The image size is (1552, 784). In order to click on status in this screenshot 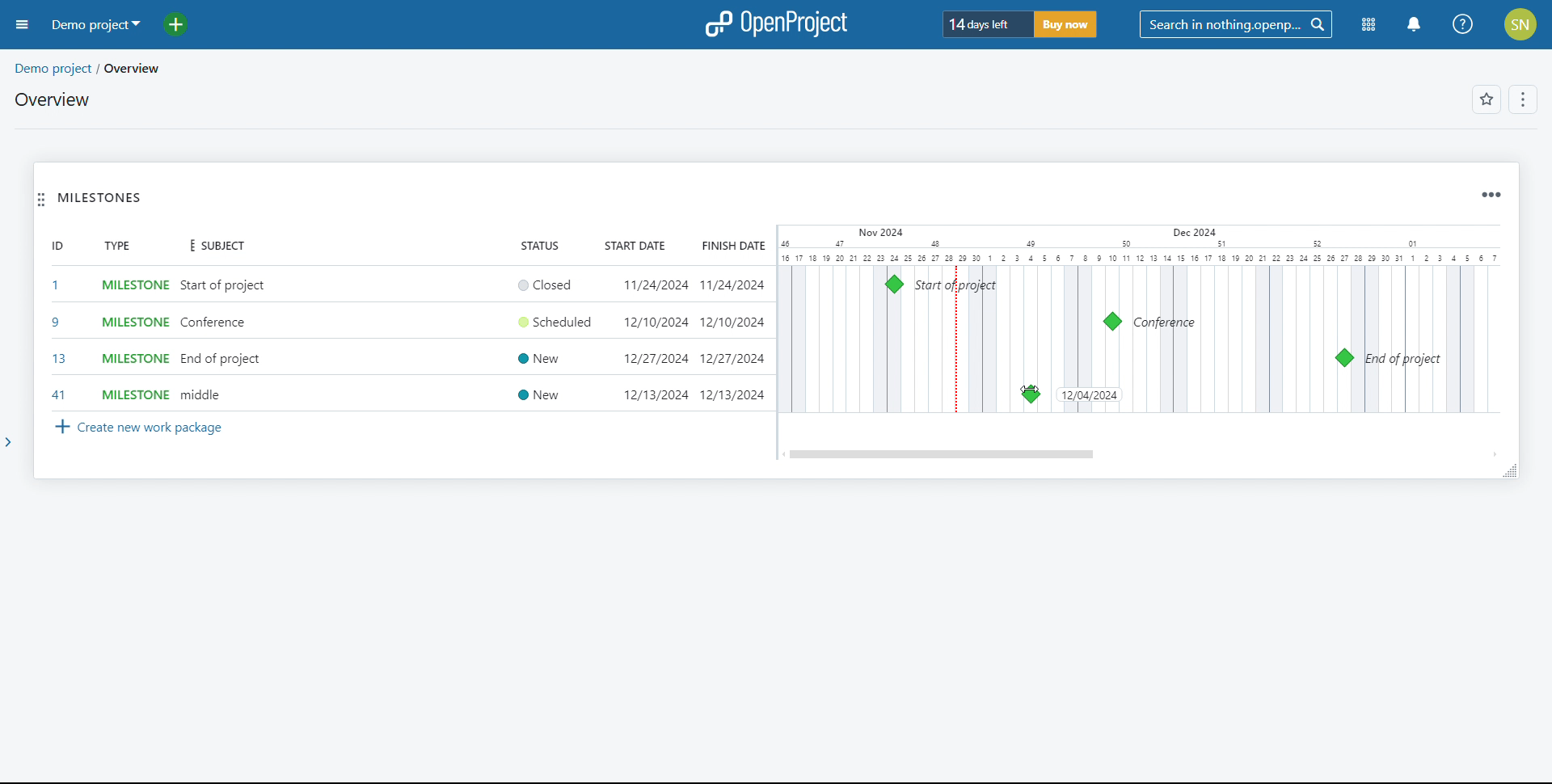, I will do `click(540, 244)`.